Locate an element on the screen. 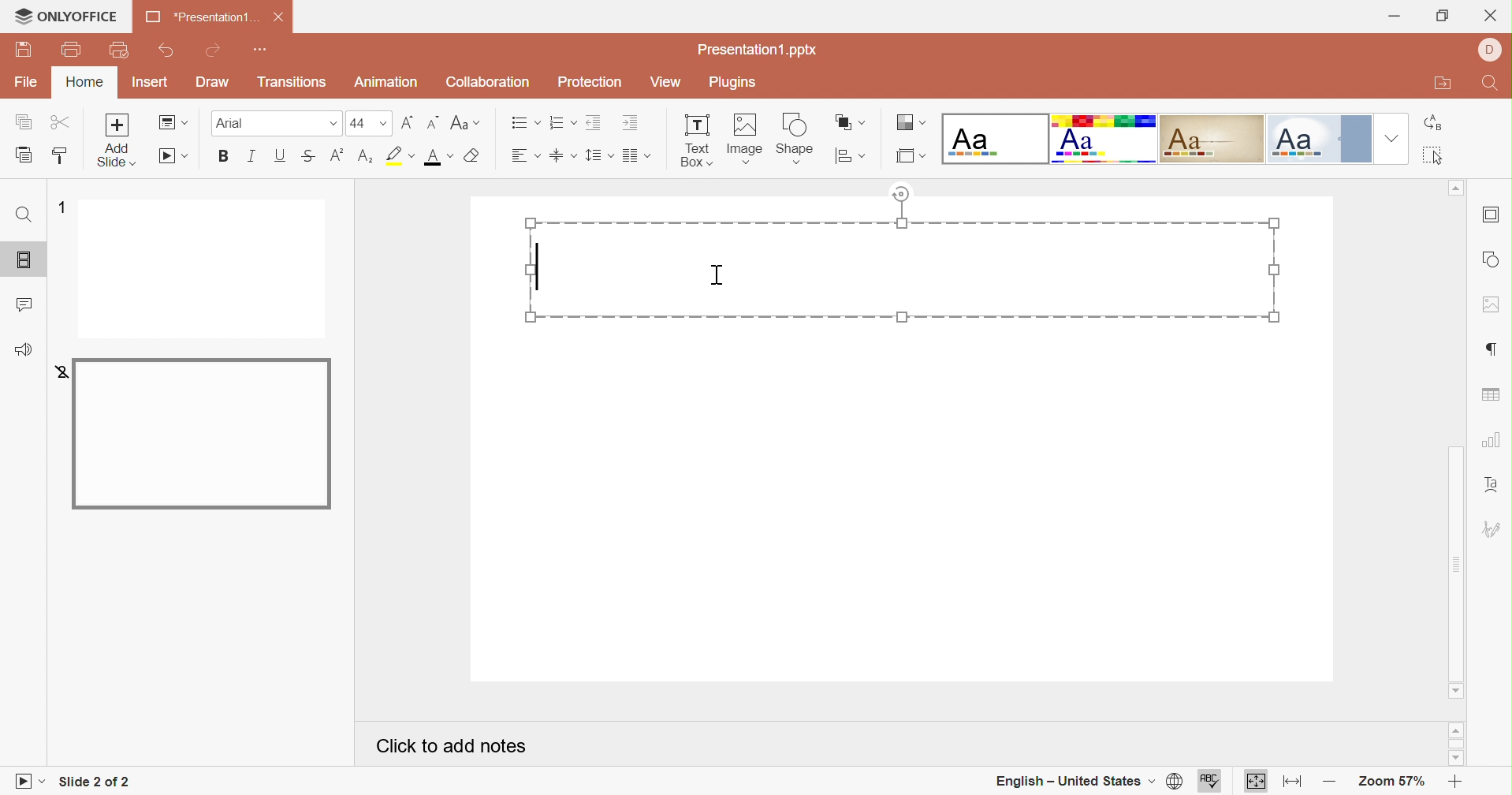 Image resolution: width=1512 pixels, height=795 pixels. Table settings is located at coordinates (1493, 395).